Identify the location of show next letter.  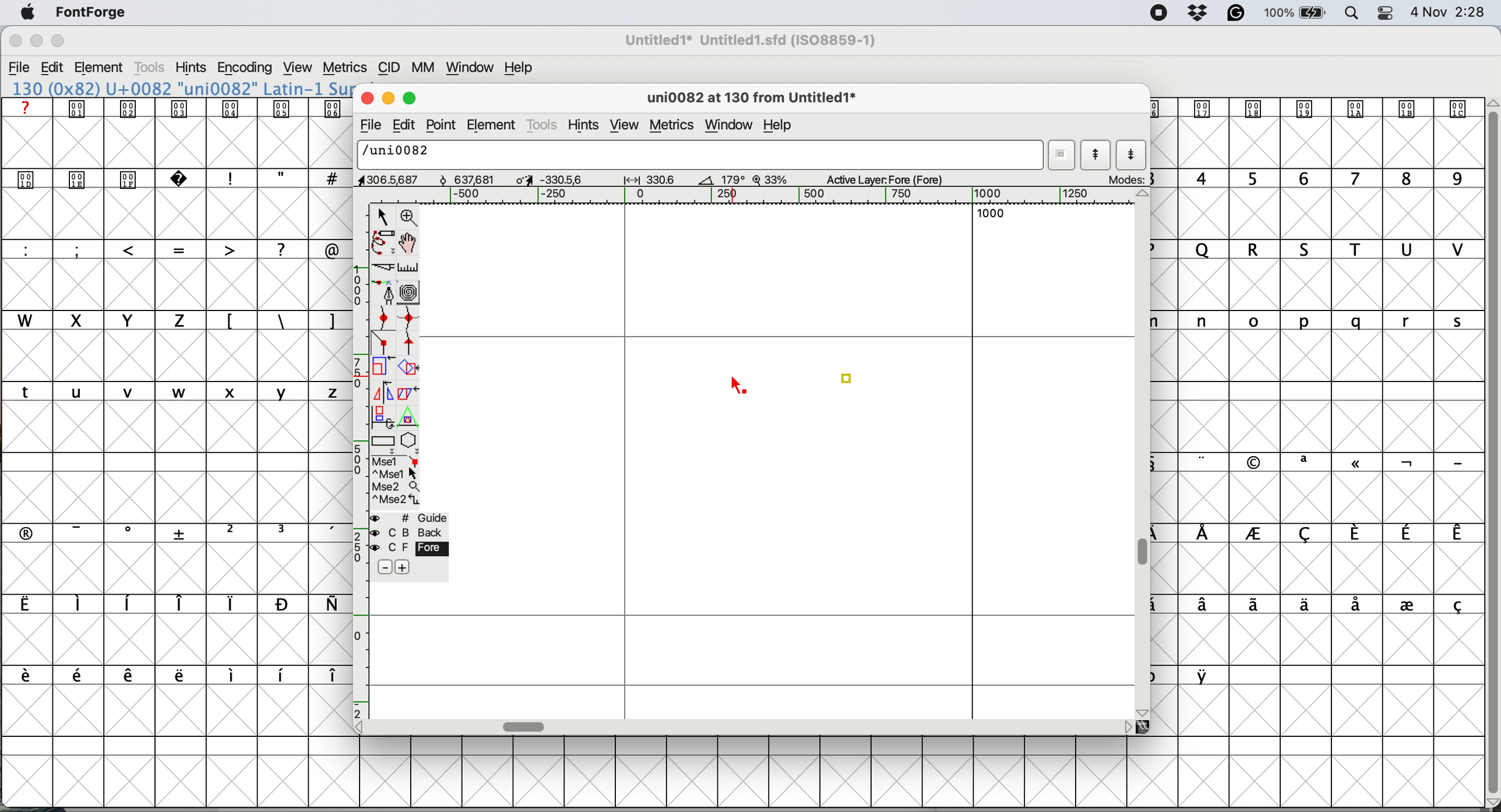
(1132, 156).